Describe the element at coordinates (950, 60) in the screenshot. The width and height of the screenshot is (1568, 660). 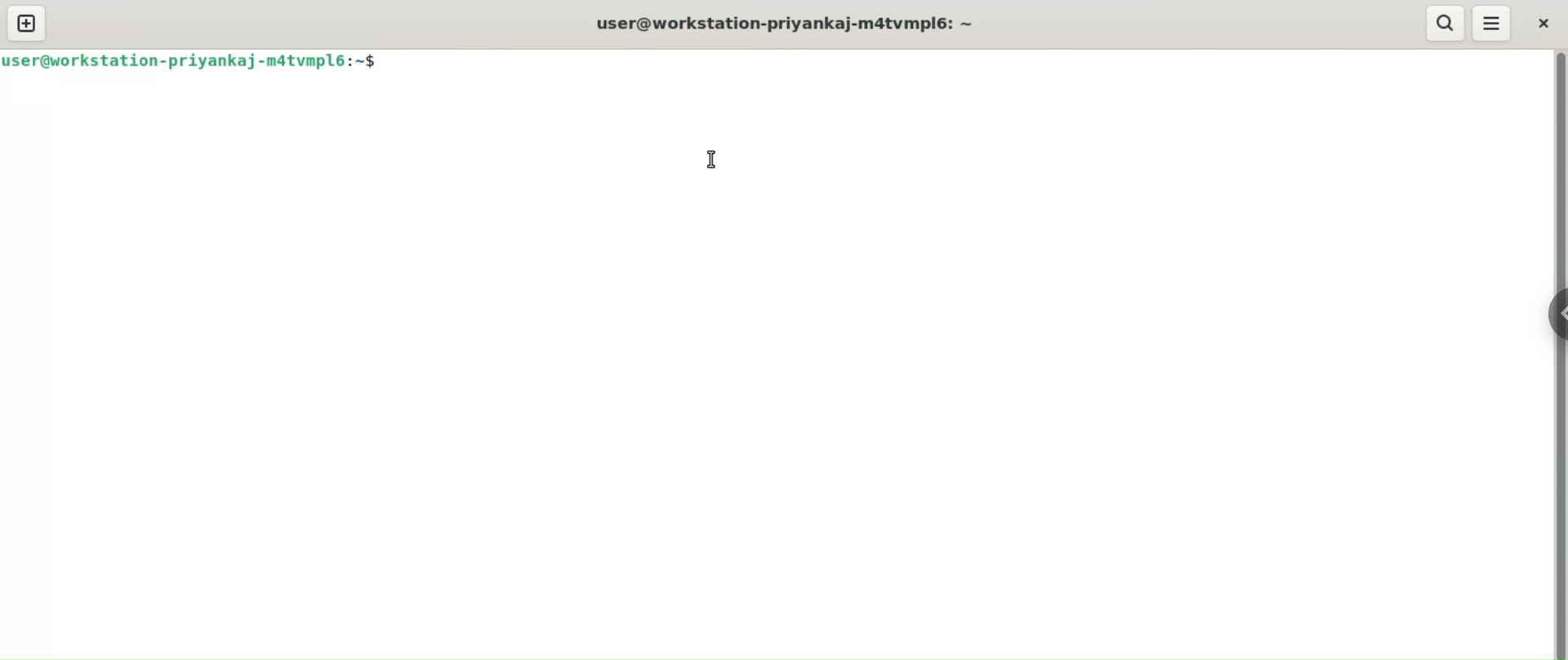
I see `command input` at that location.